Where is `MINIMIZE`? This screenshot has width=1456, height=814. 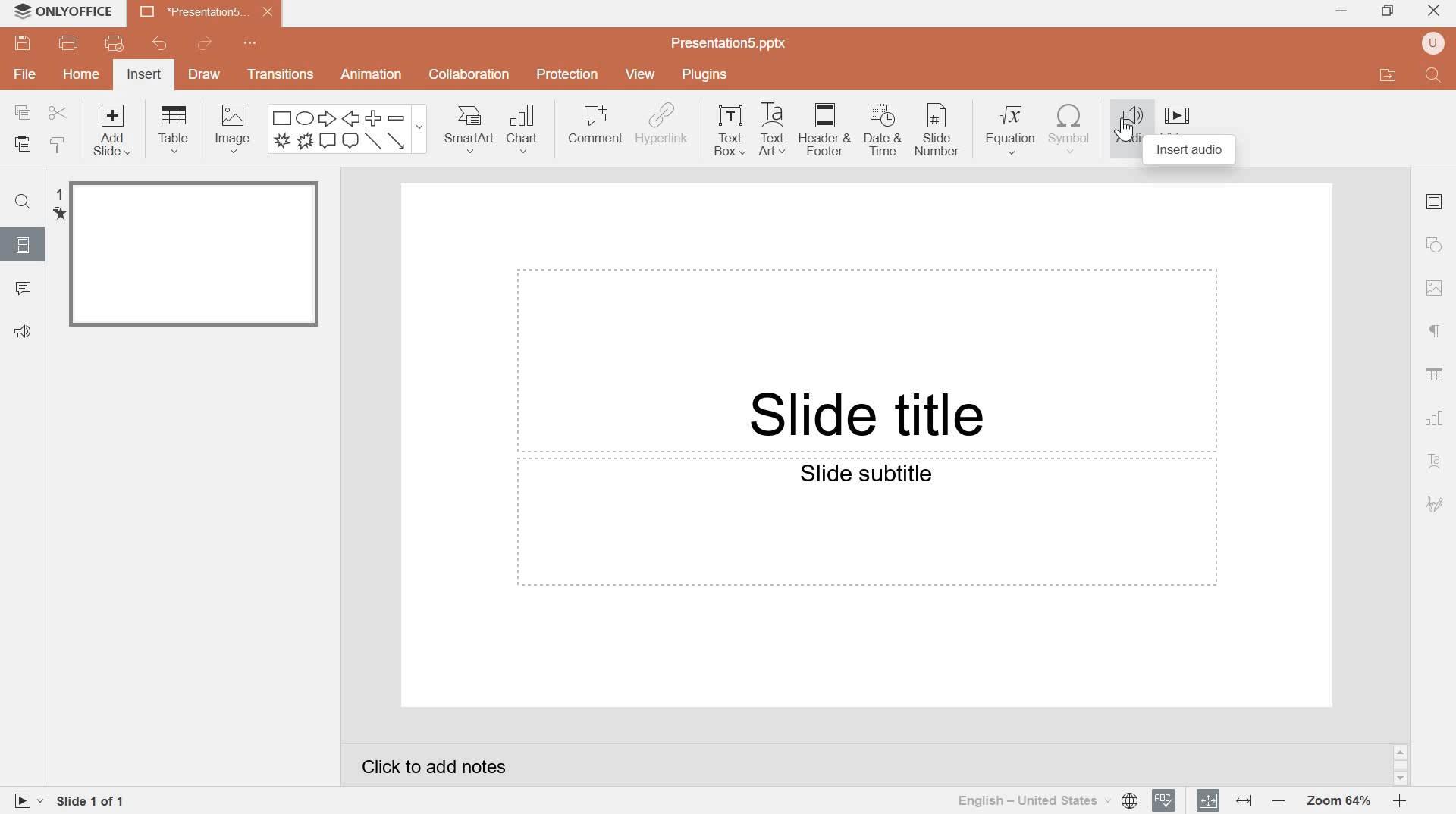
MINIMIZE is located at coordinates (1342, 13).